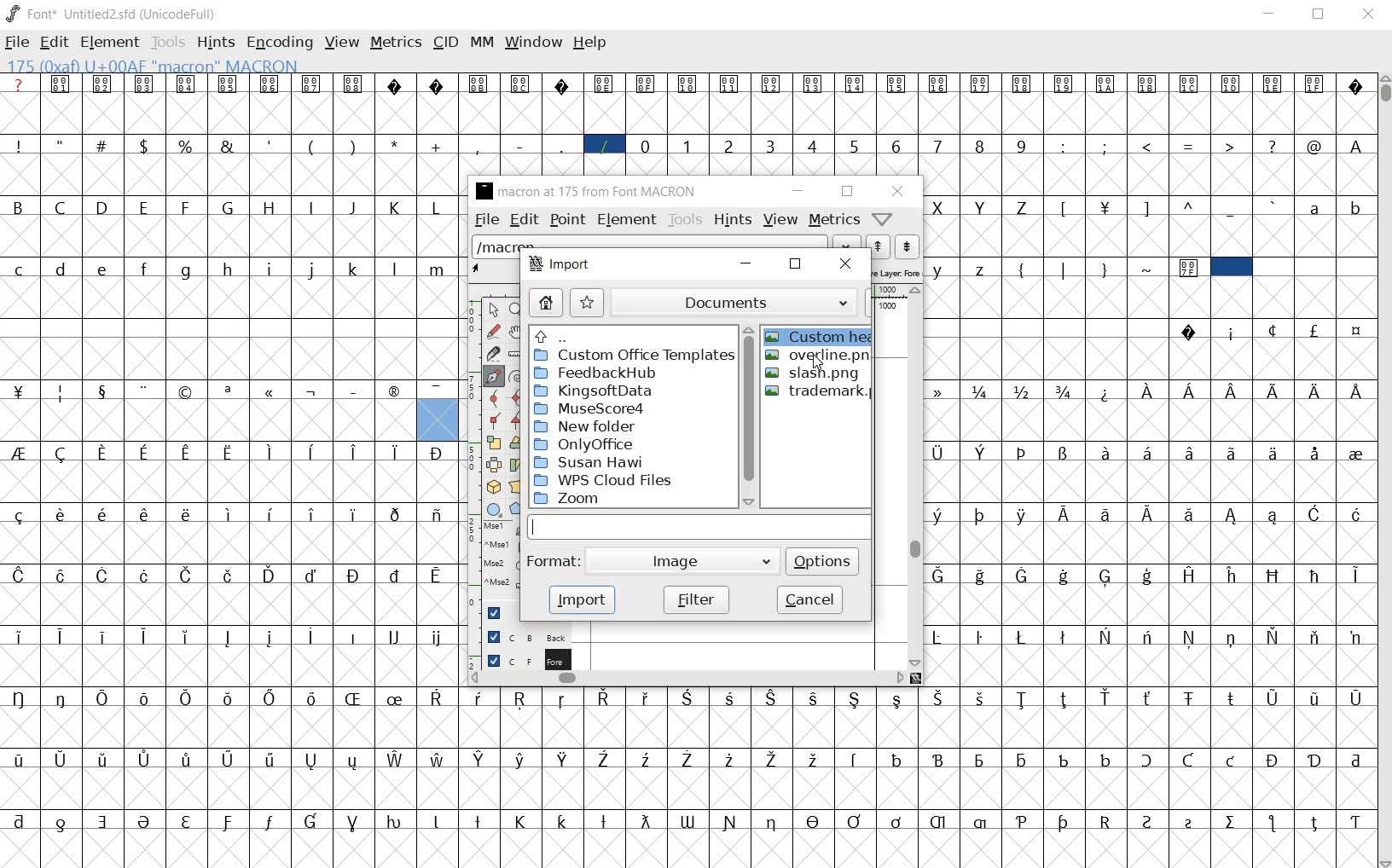 Image resolution: width=1392 pixels, height=868 pixels. What do you see at coordinates (20, 205) in the screenshot?
I see `B` at bounding box center [20, 205].